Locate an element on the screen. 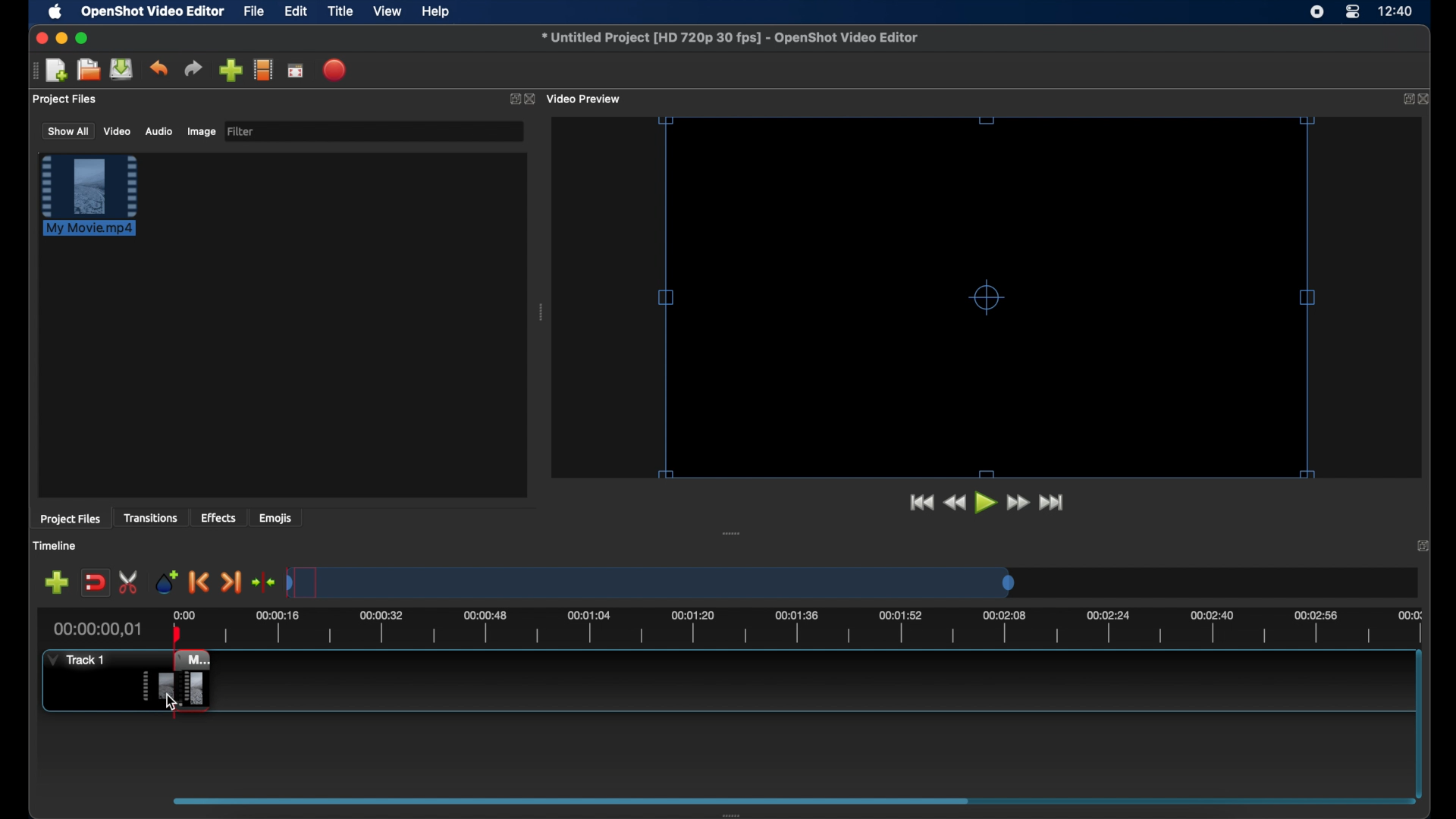 The height and width of the screenshot is (819, 1456). cursor is located at coordinates (178, 703).